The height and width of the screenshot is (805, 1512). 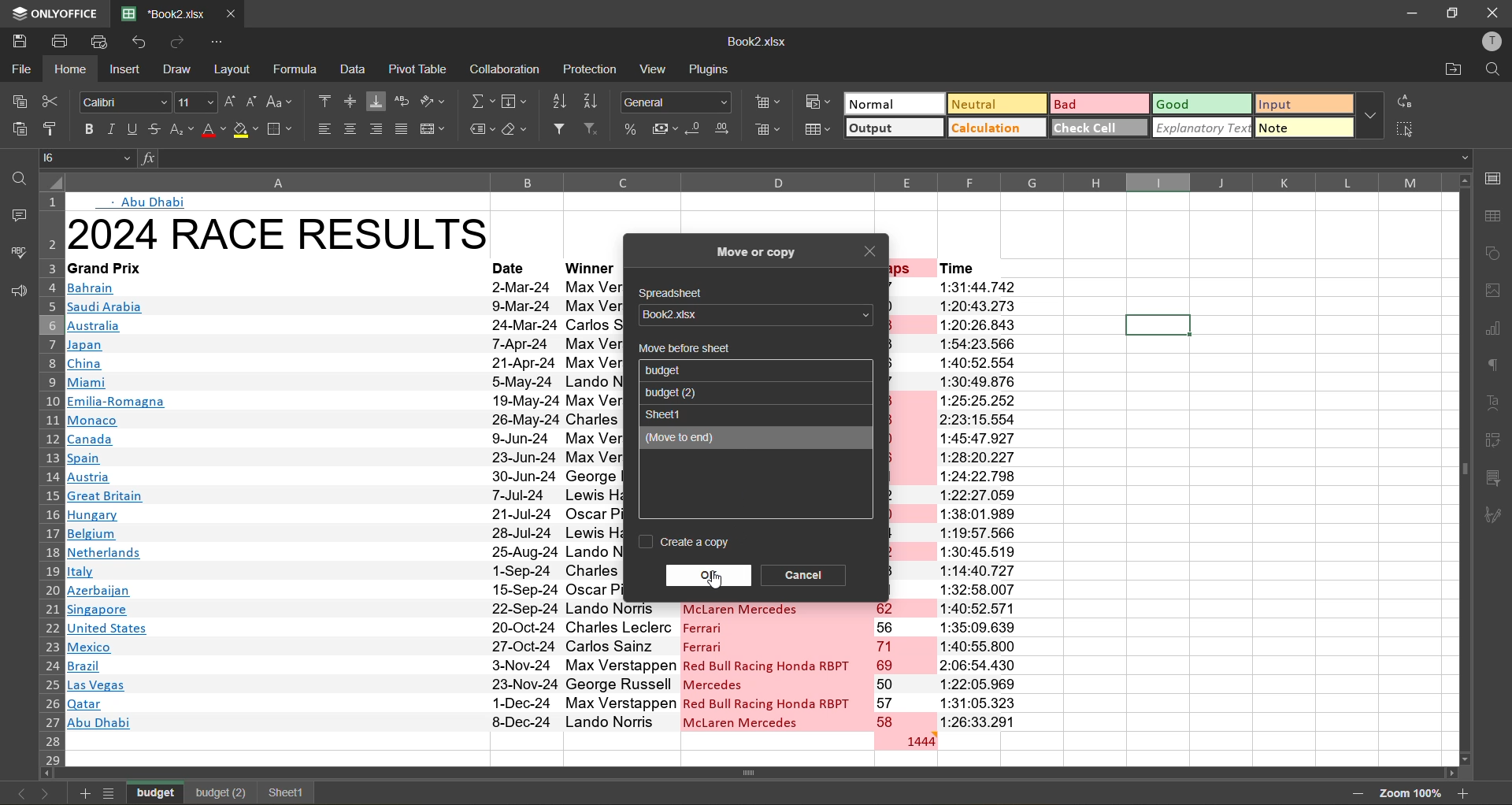 I want to click on spreadsheet, so click(x=676, y=294).